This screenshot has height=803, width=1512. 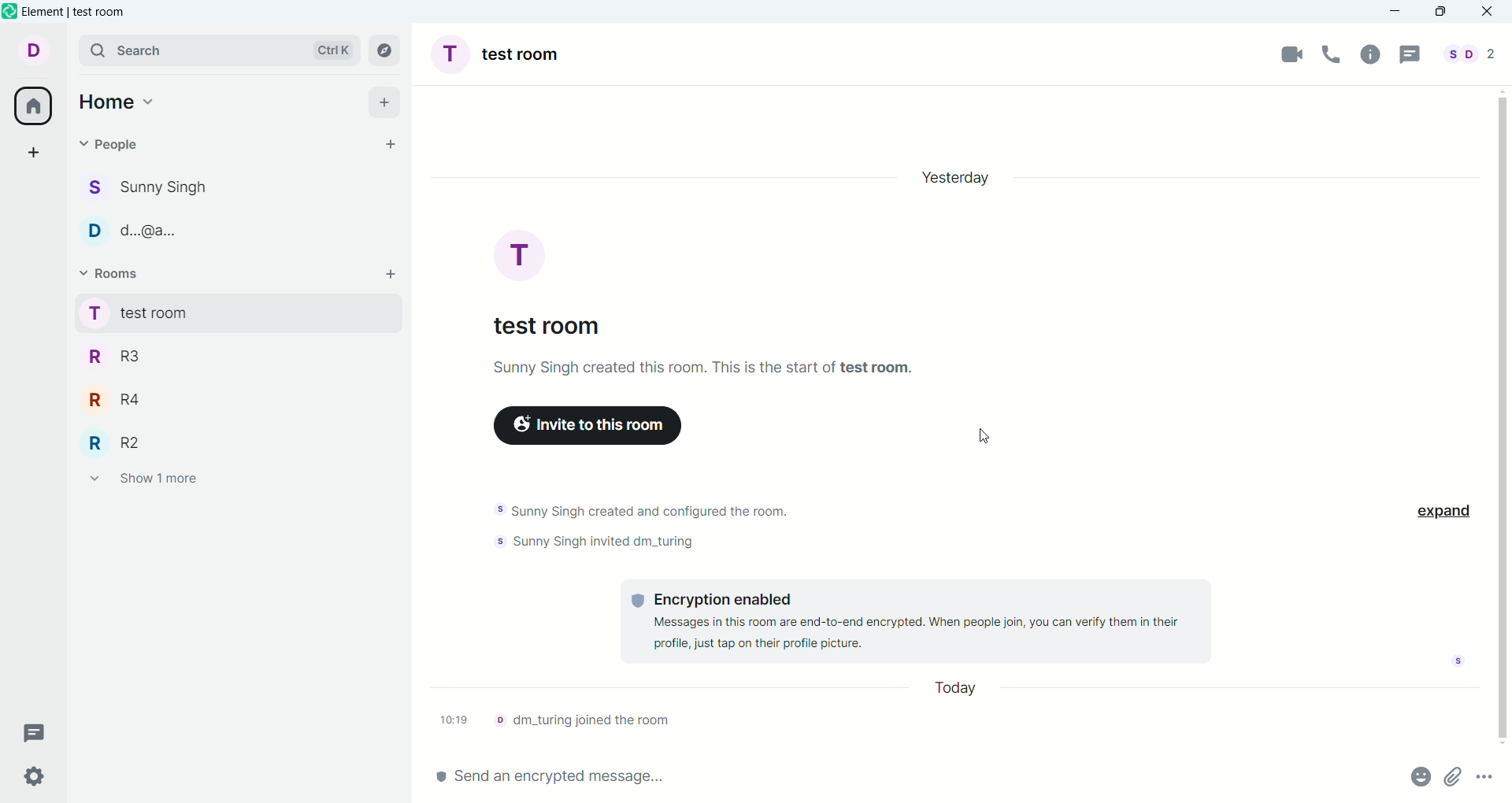 I want to click on text, so click(x=632, y=525).